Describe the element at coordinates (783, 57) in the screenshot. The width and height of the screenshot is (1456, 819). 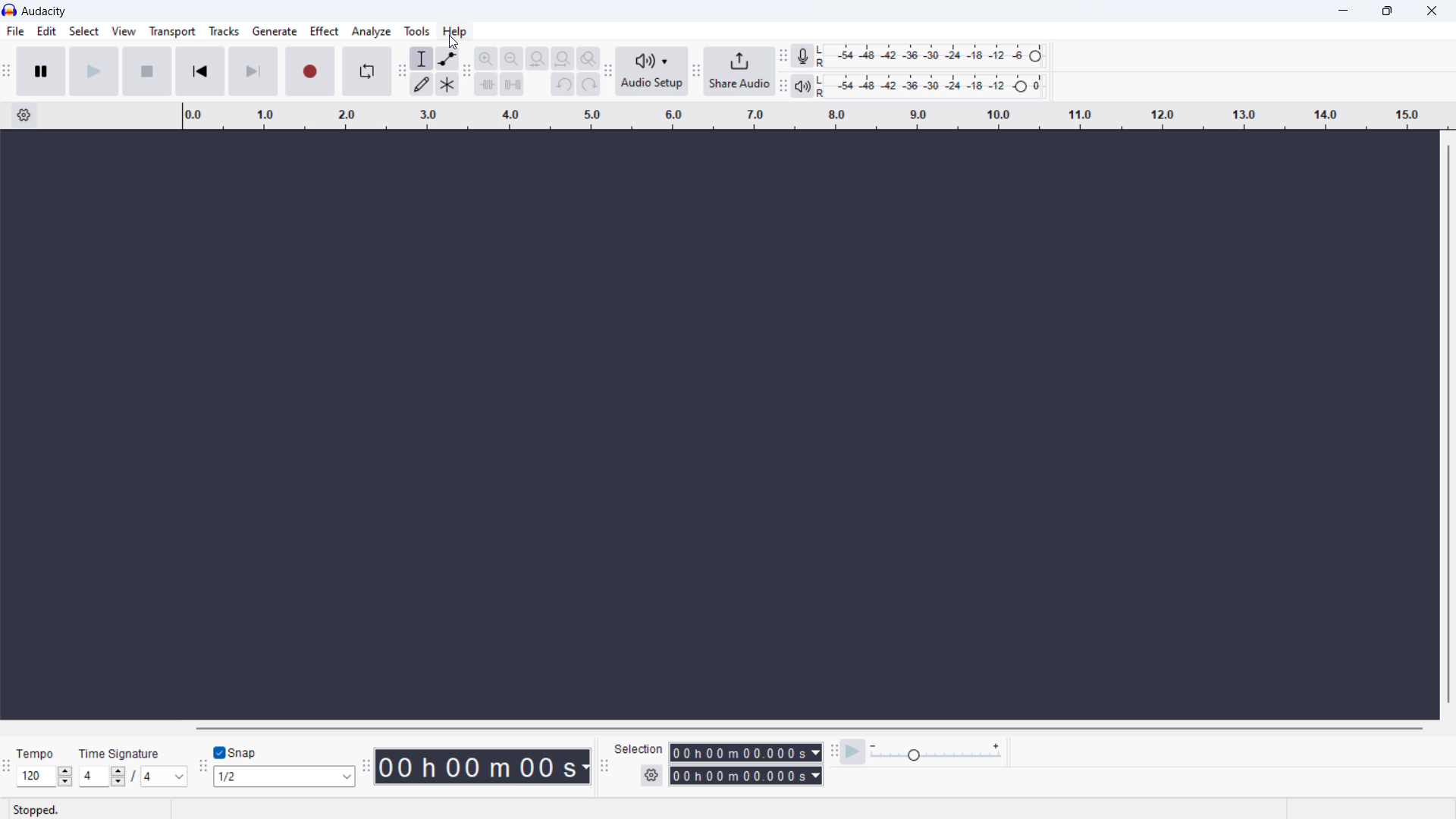
I see `recording meter toolbar` at that location.